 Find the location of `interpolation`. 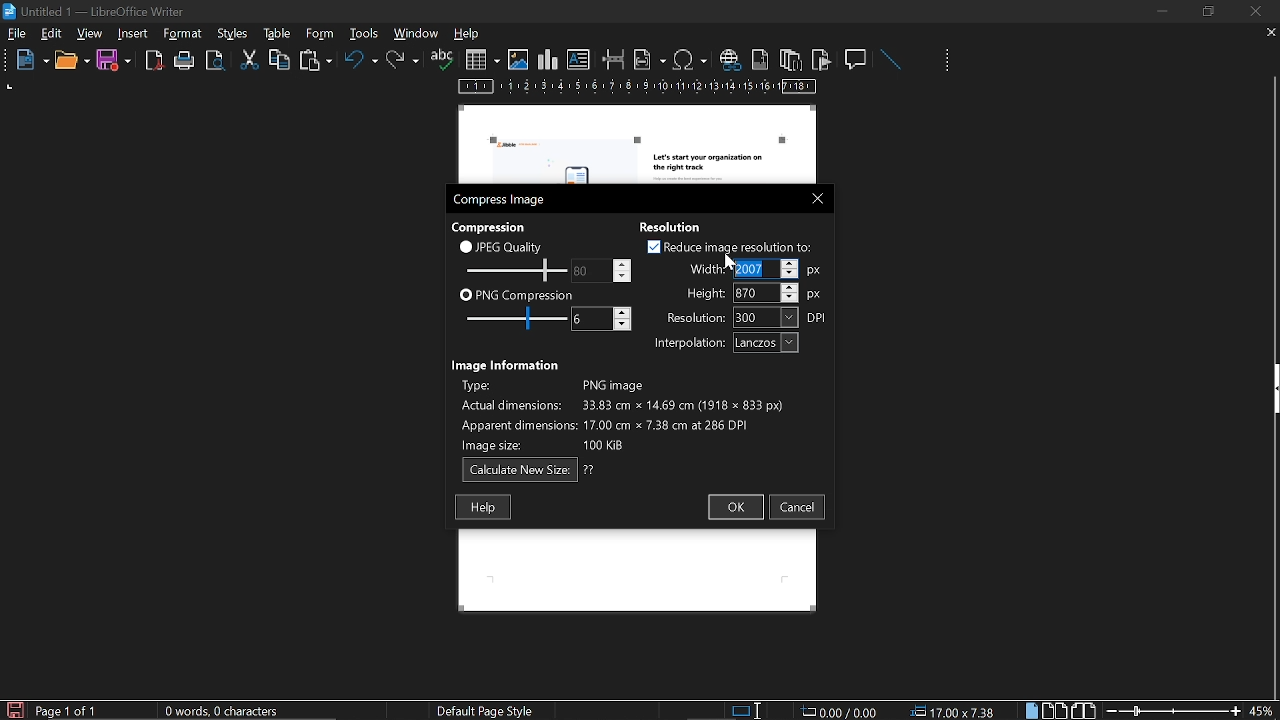

interpolation is located at coordinates (722, 343).